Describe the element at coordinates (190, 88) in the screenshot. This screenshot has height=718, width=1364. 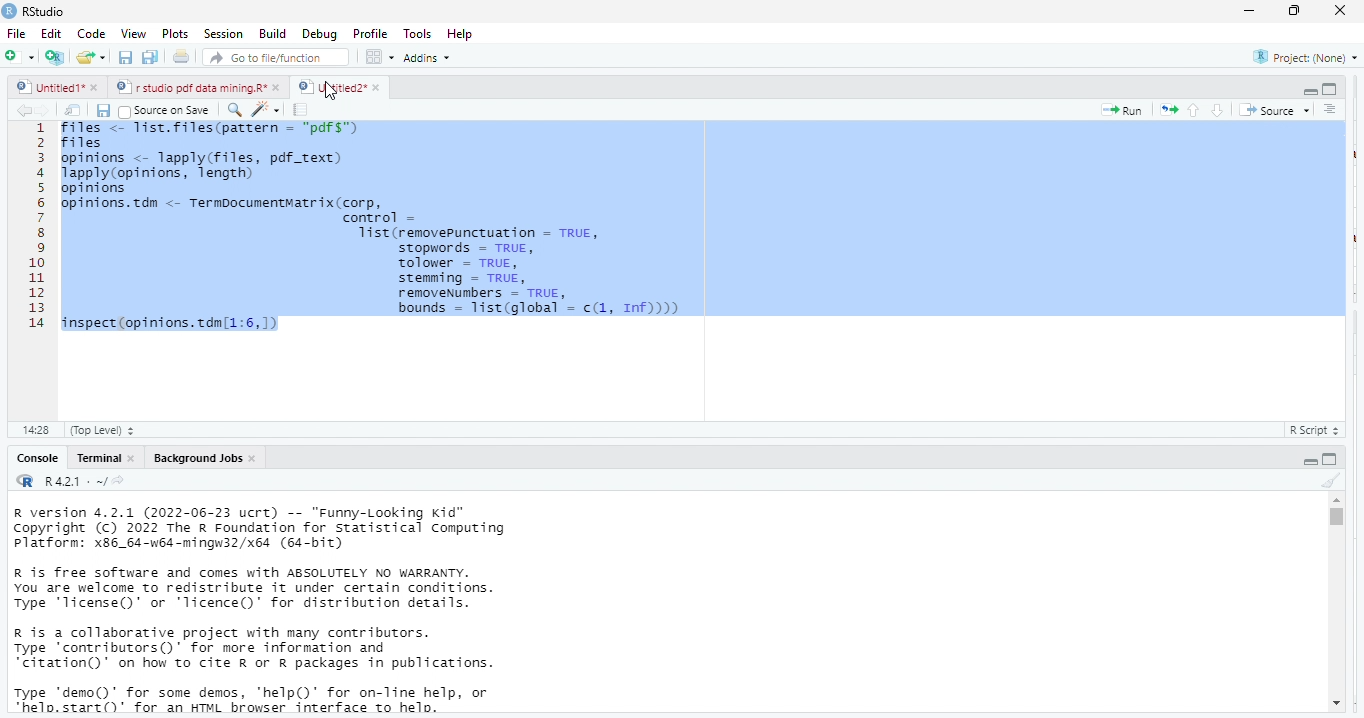
I see `rs studio pdf data mining r` at that location.